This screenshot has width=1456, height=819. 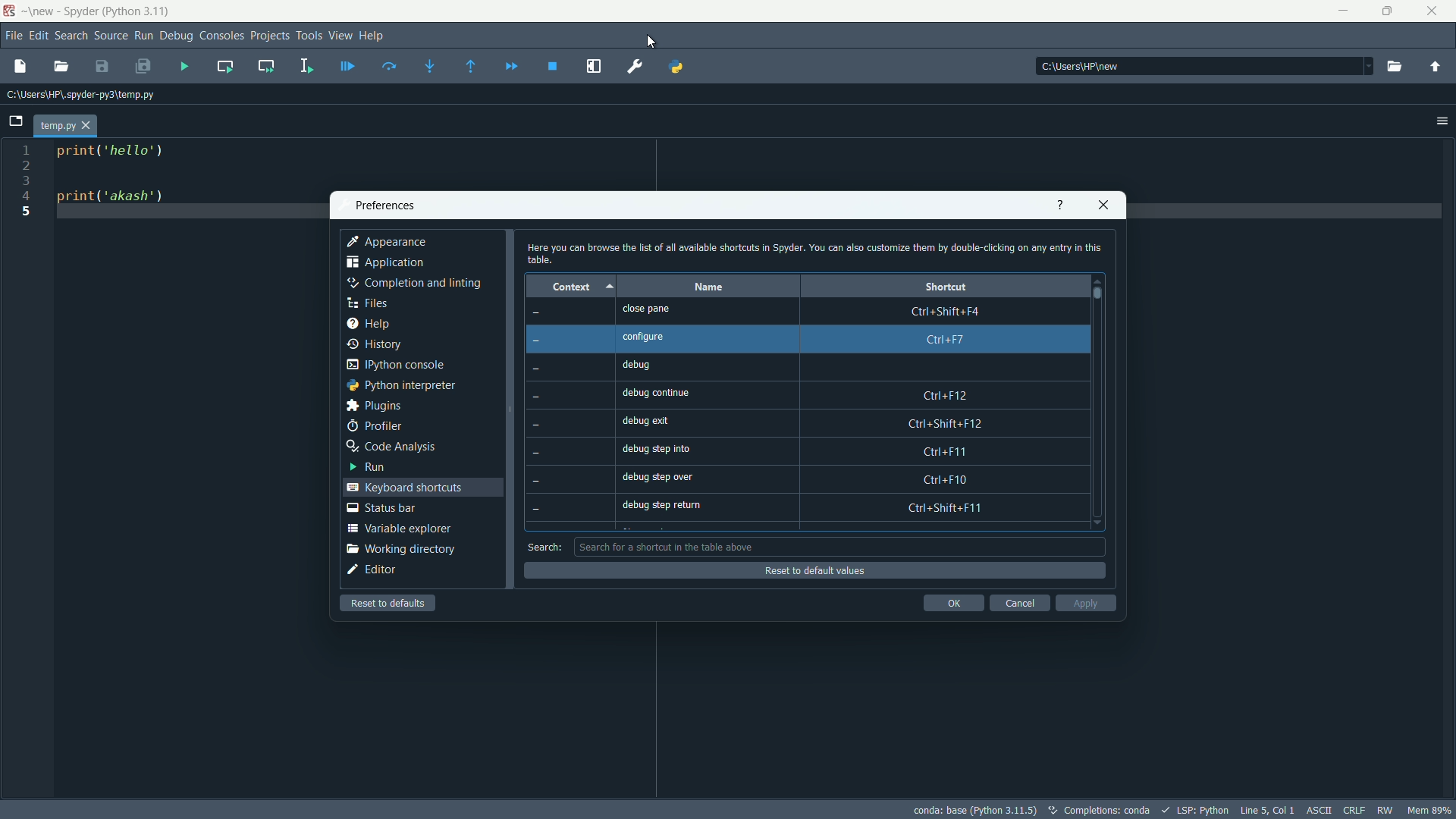 I want to click on Sorting Options, so click(x=611, y=286).